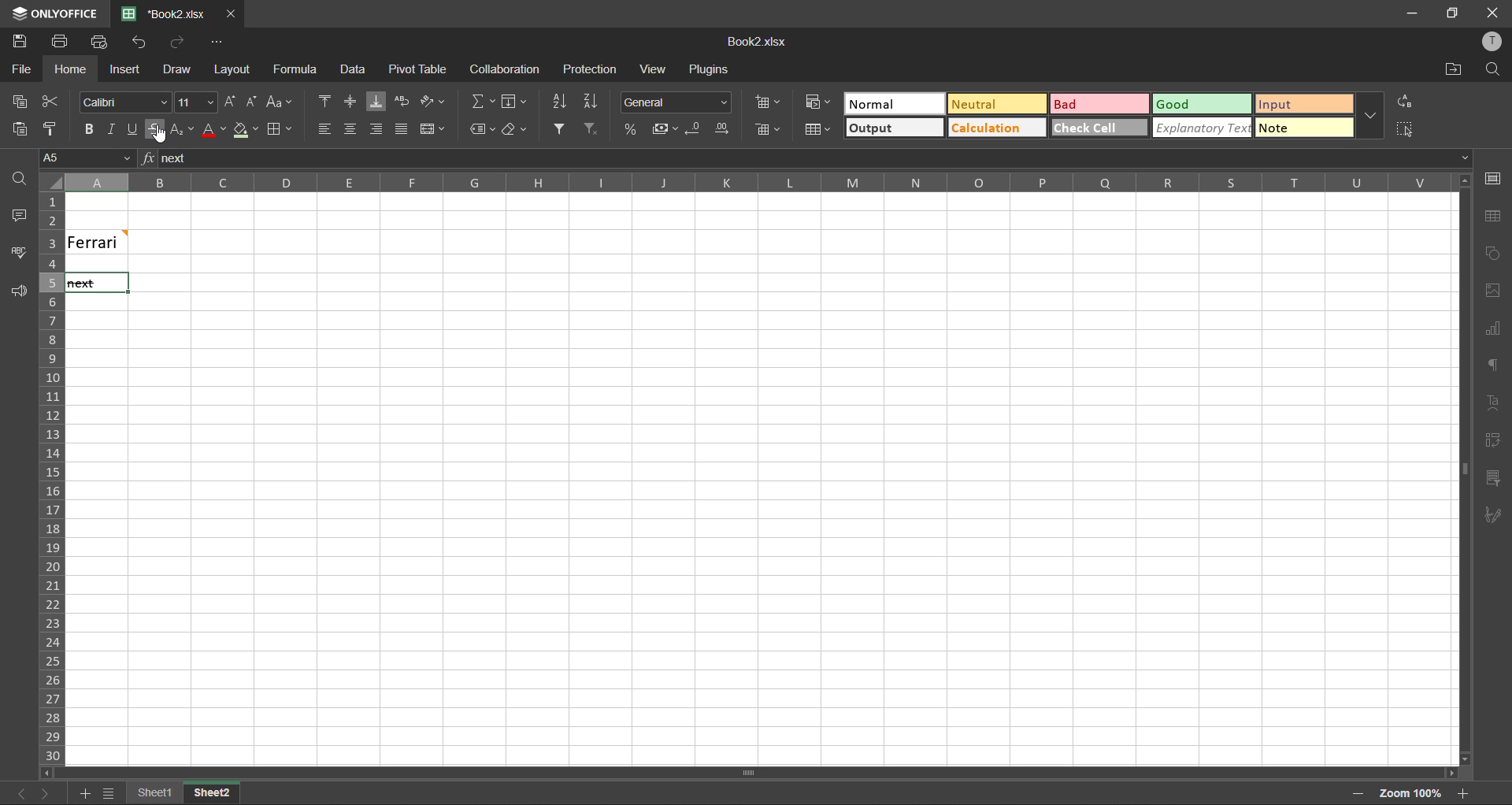 The image size is (1512, 805). Describe the element at coordinates (54, 480) in the screenshot. I see `row numbers` at that location.